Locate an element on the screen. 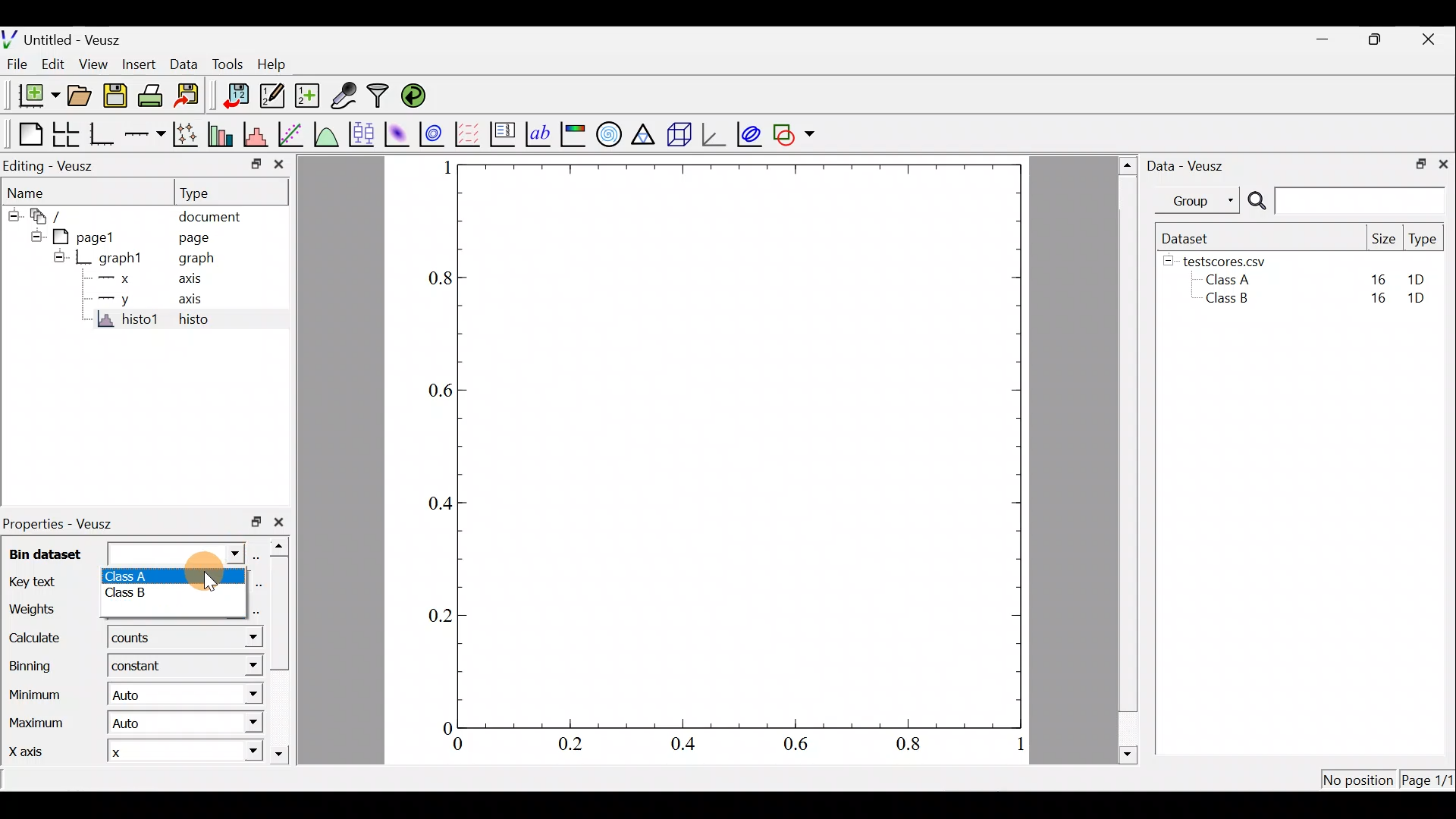  0.2 is located at coordinates (573, 747).